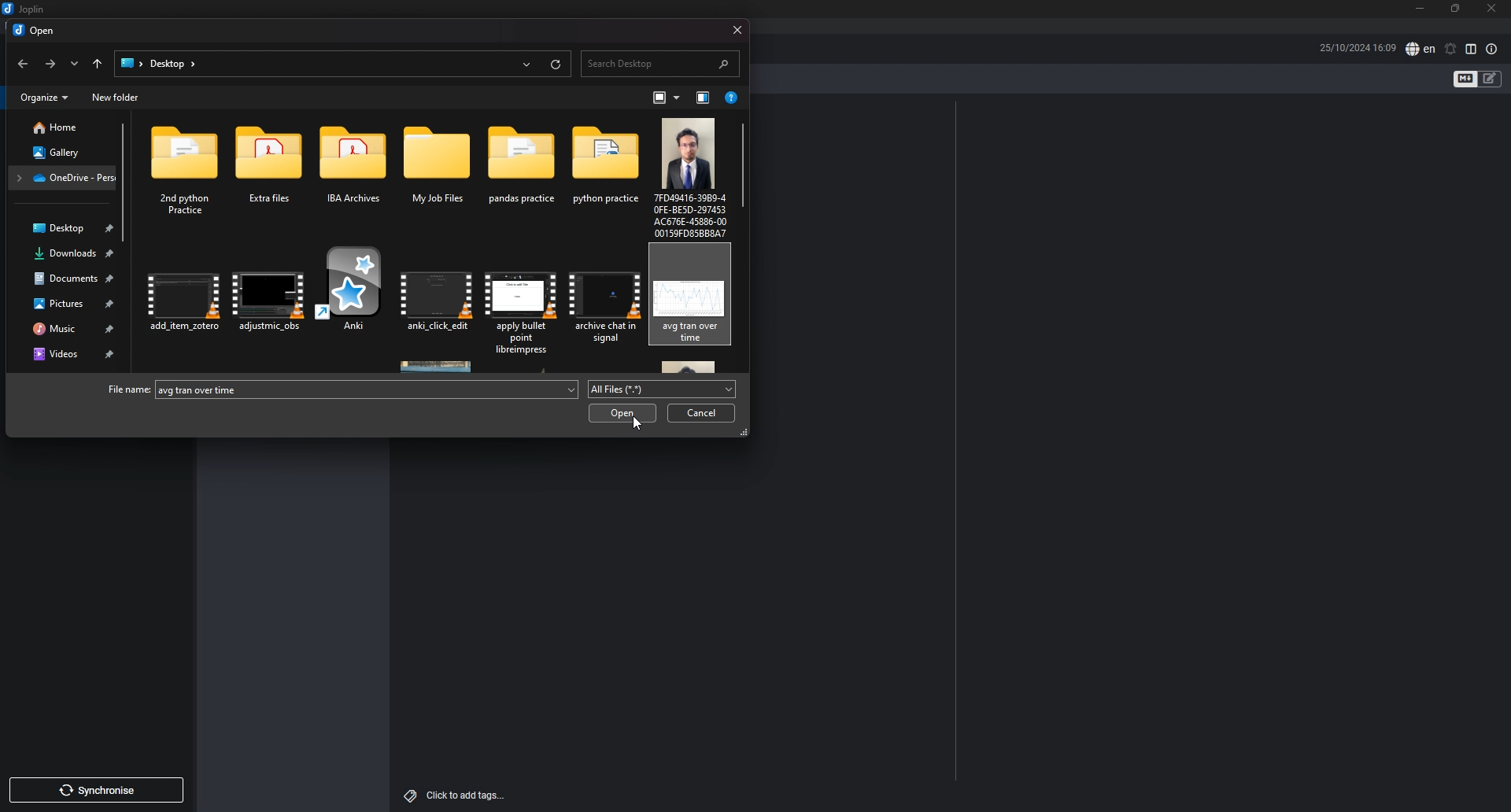 Image resolution: width=1511 pixels, height=812 pixels. What do you see at coordinates (68, 279) in the screenshot?
I see `documents` at bounding box center [68, 279].